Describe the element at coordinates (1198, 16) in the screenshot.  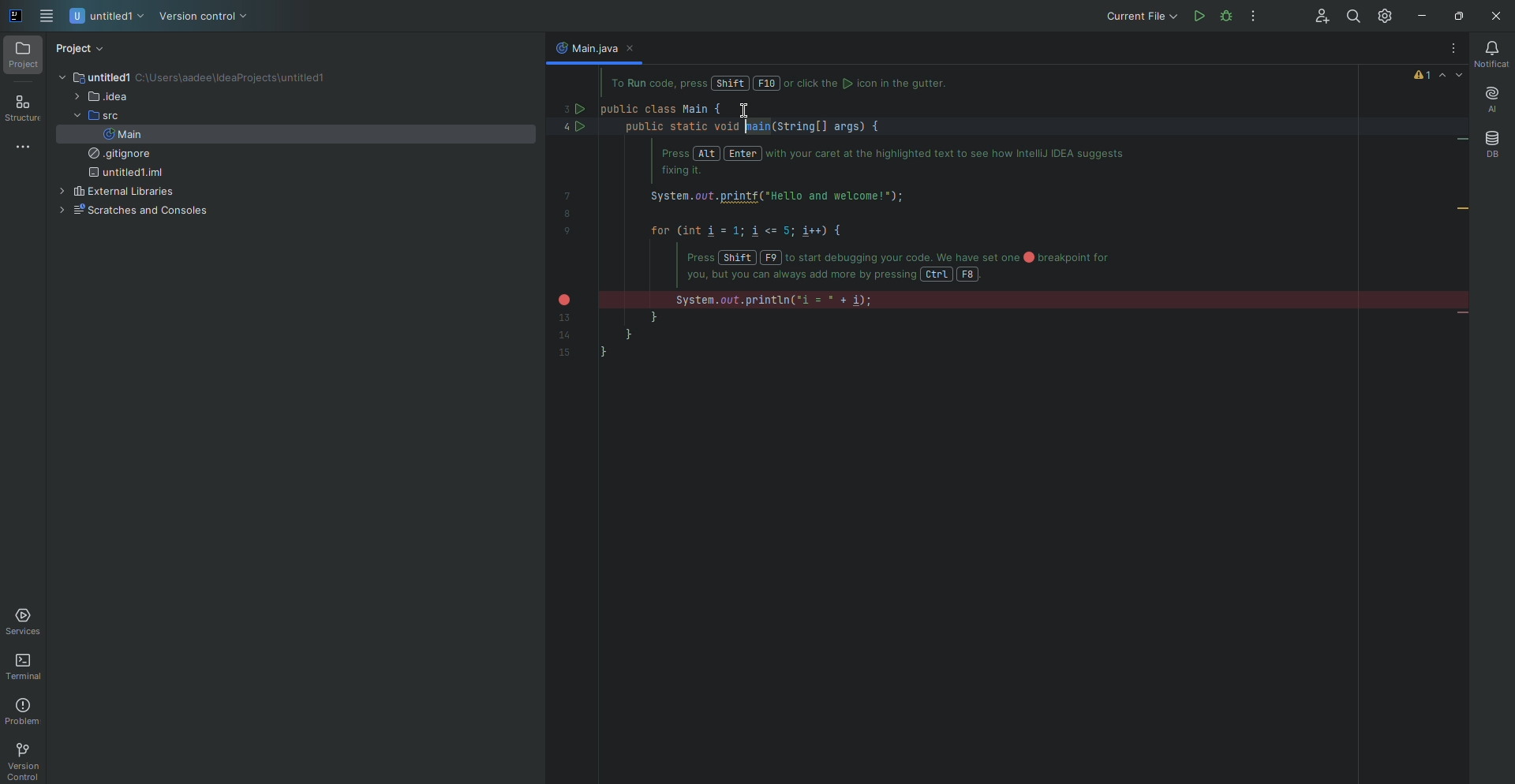
I see `Run Code` at that location.